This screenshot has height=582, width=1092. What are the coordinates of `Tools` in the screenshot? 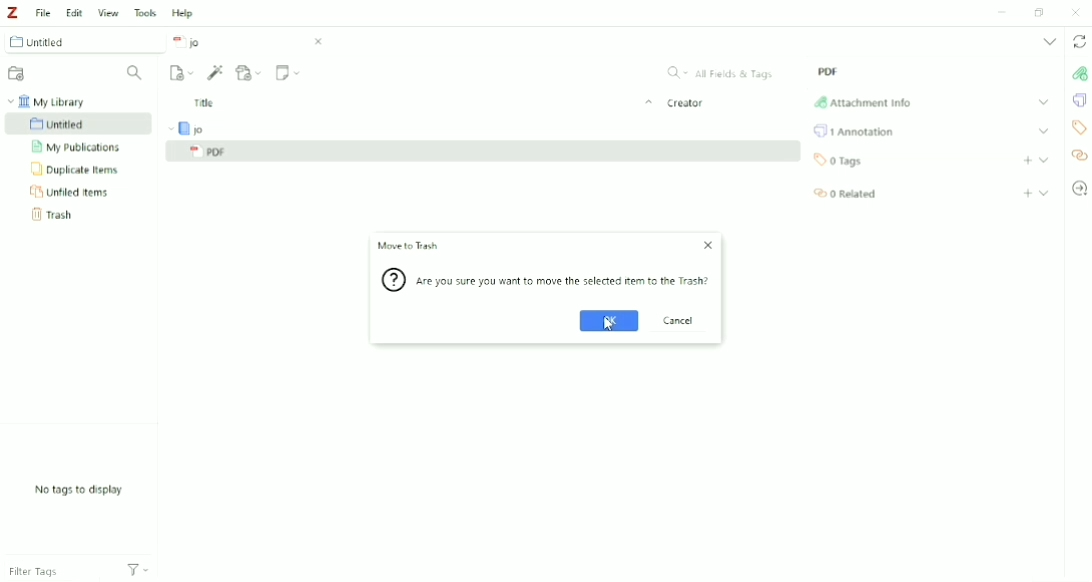 It's located at (145, 12).